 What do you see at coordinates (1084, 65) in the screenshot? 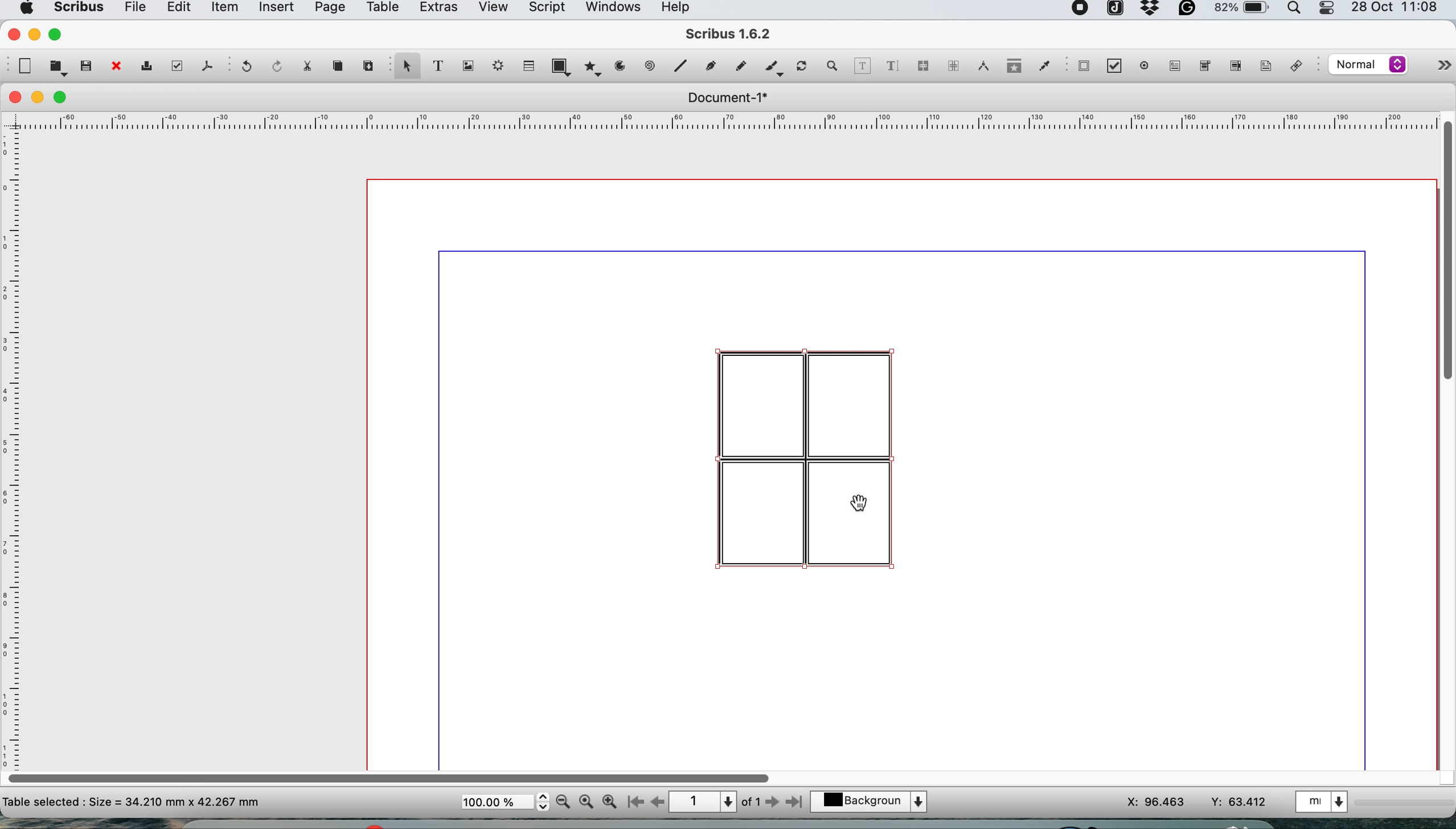
I see `pdf check button` at bounding box center [1084, 65].